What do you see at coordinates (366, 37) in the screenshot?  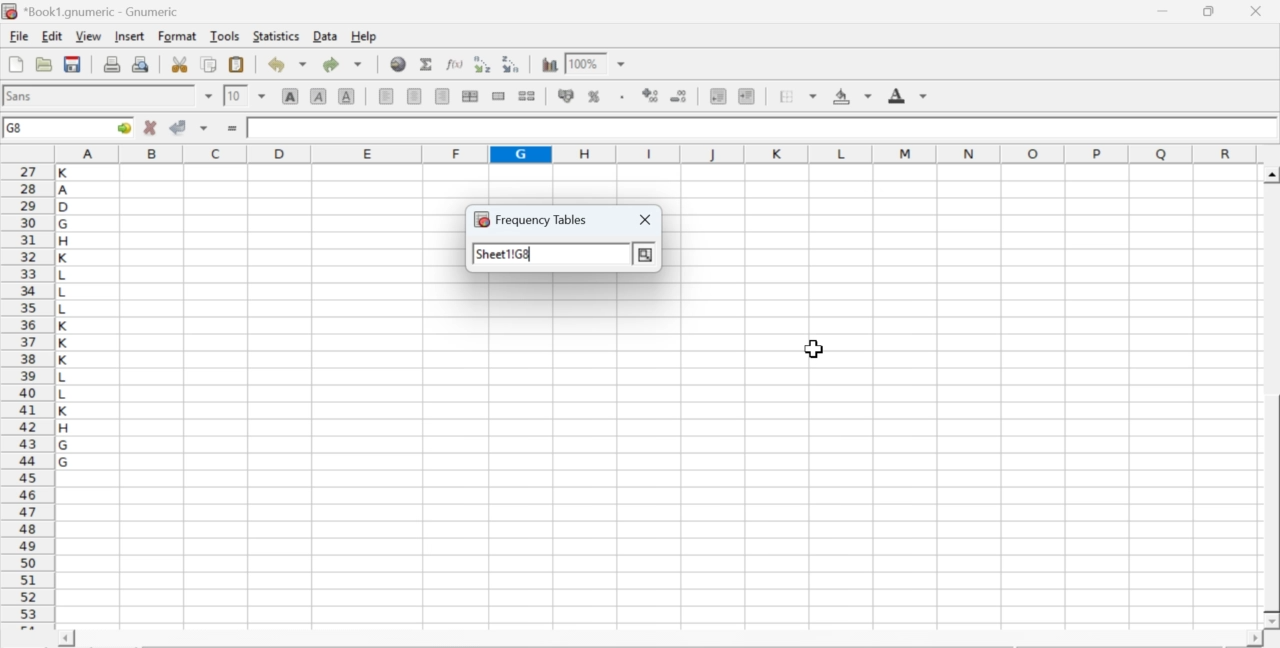 I see `help` at bounding box center [366, 37].